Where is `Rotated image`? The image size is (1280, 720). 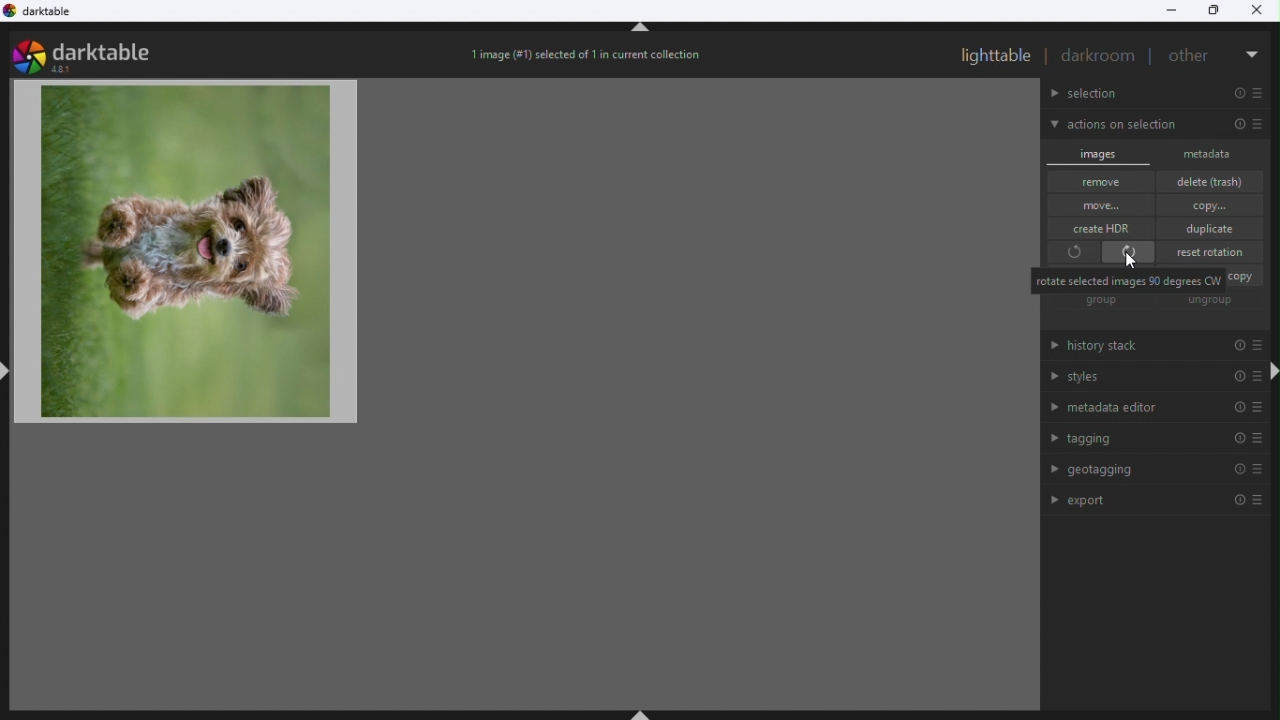
Rotated image is located at coordinates (195, 256).